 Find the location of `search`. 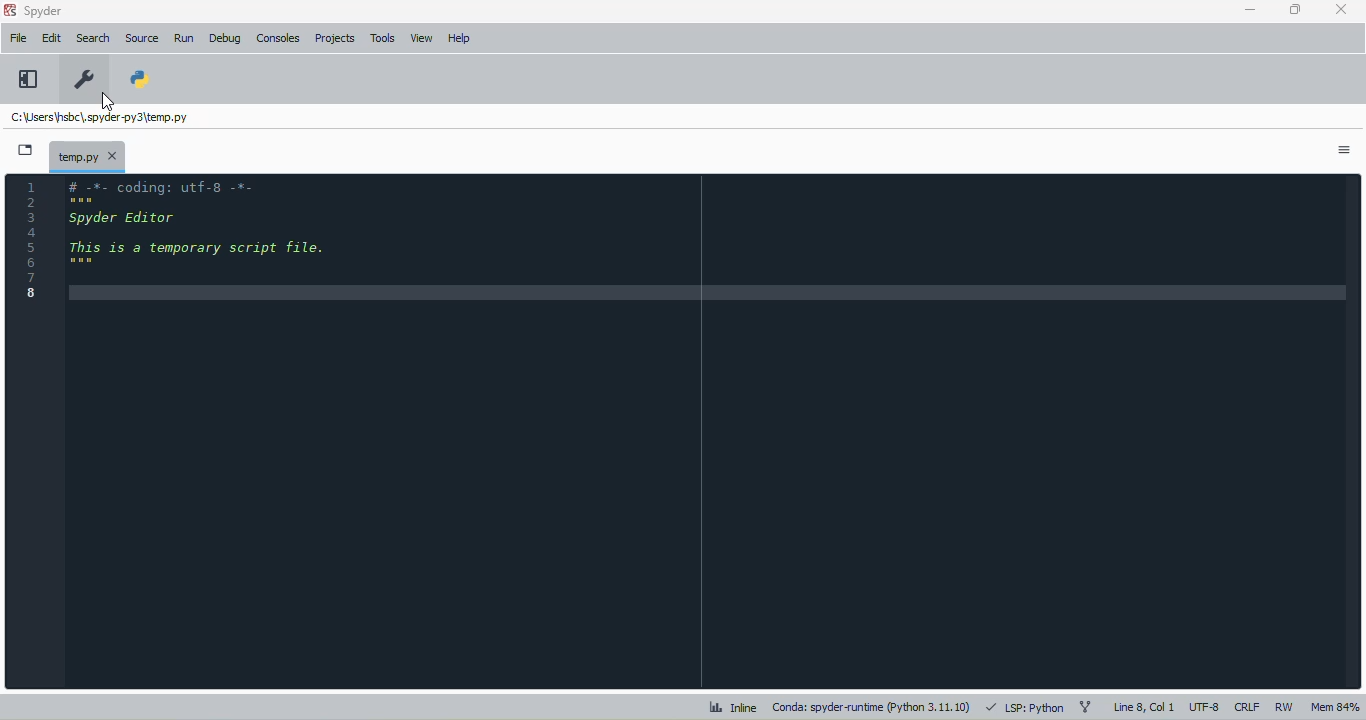

search is located at coordinates (94, 38).